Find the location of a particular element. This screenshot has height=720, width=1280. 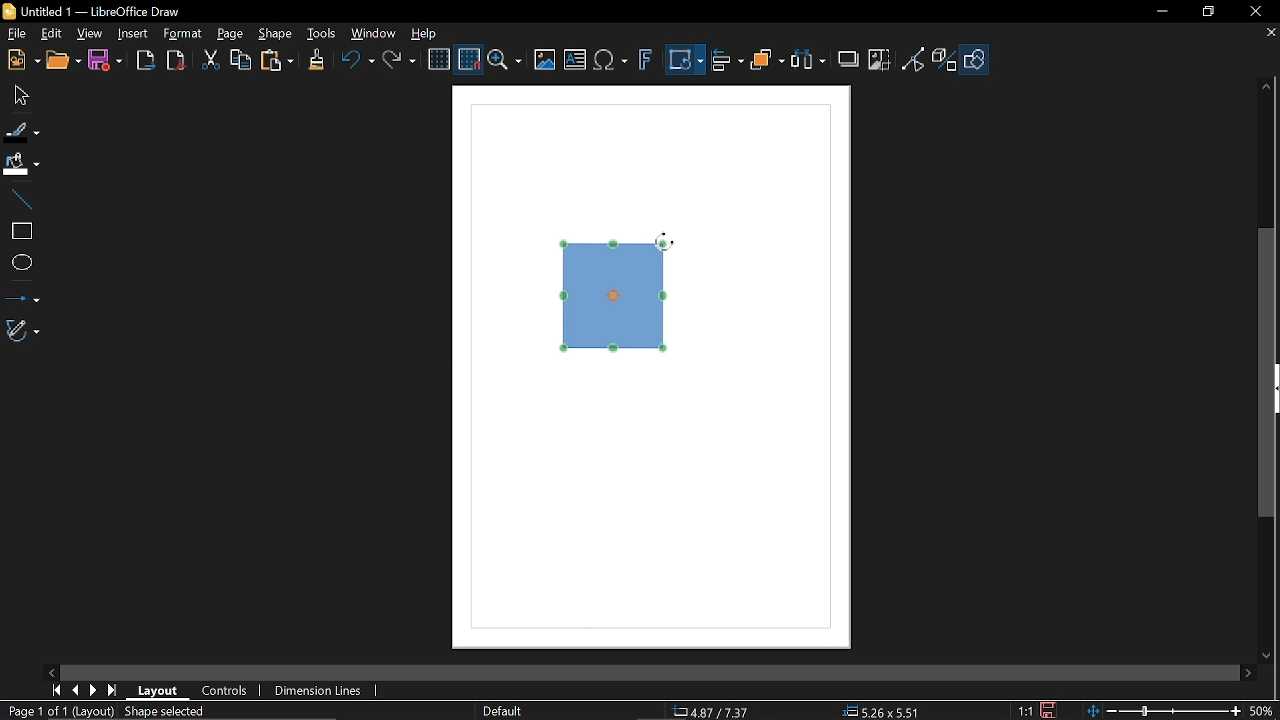

Redo is located at coordinates (398, 62).